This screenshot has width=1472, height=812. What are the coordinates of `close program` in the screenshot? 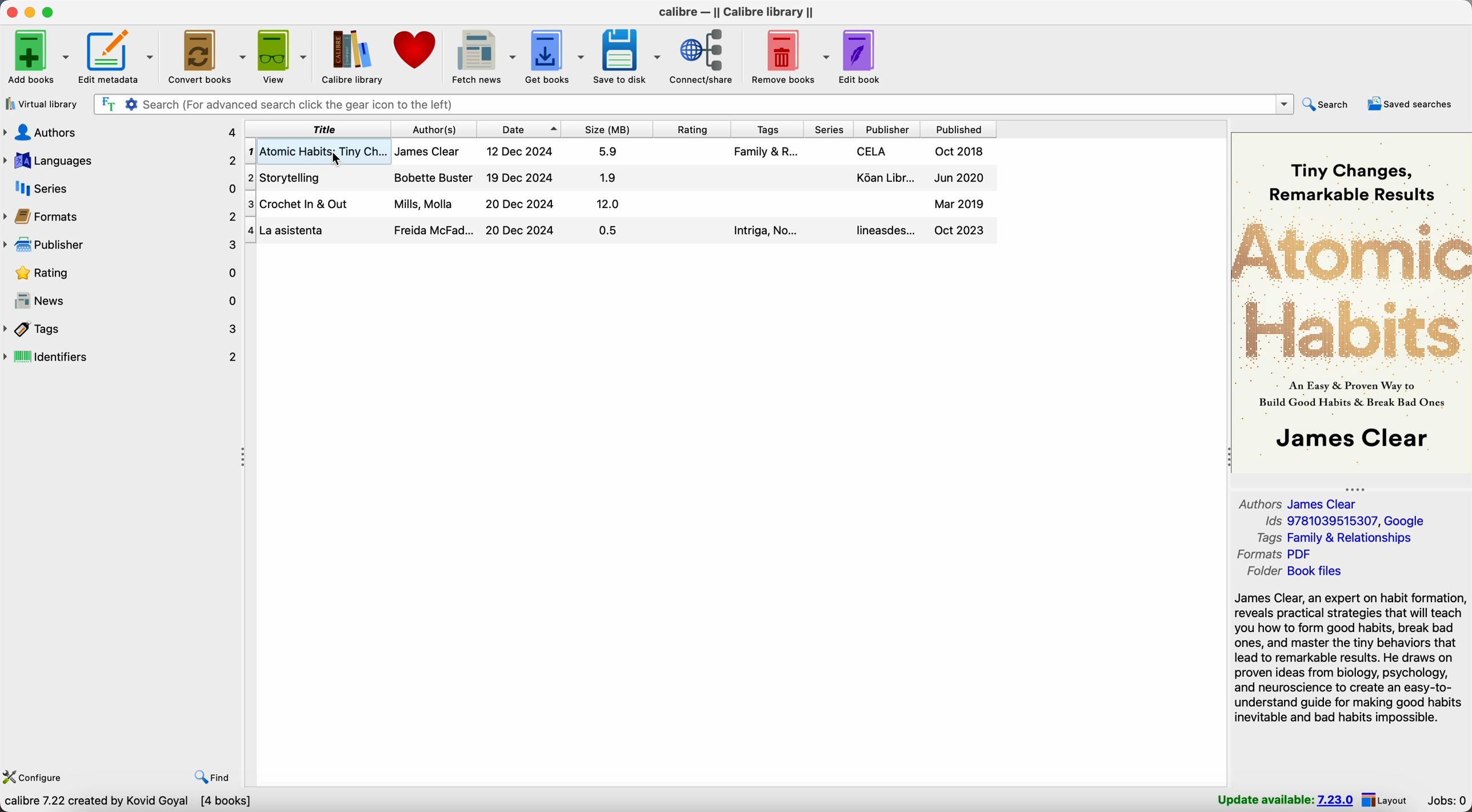 It's located at (10, 12).